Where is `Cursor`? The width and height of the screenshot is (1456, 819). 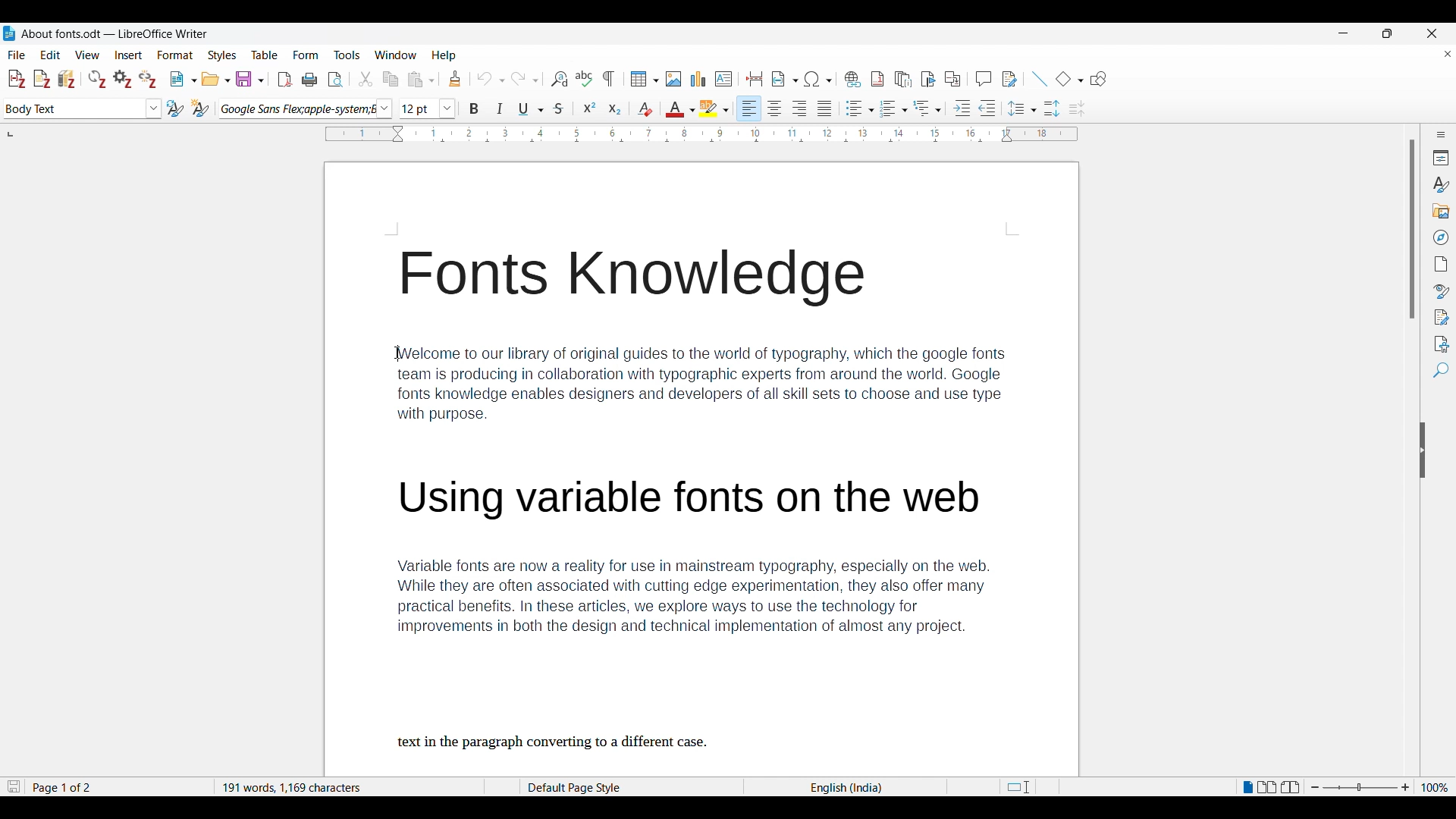 Cursor is located at coordinates (400, 344).